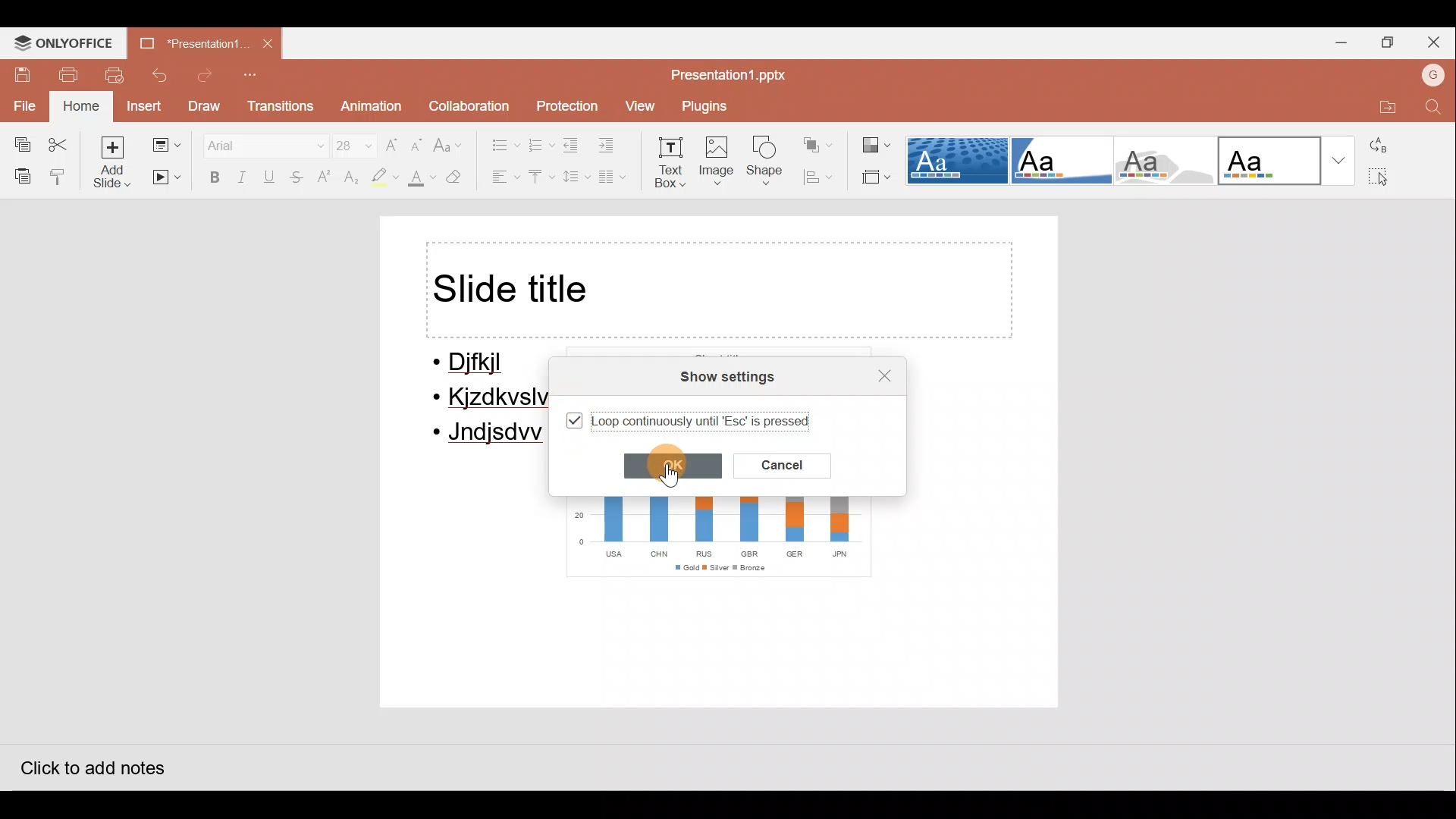 The image size is (1456, 819). Describe the element at coordinates (570, 145) in the screenshot. I see `Decrease indent` at that location.